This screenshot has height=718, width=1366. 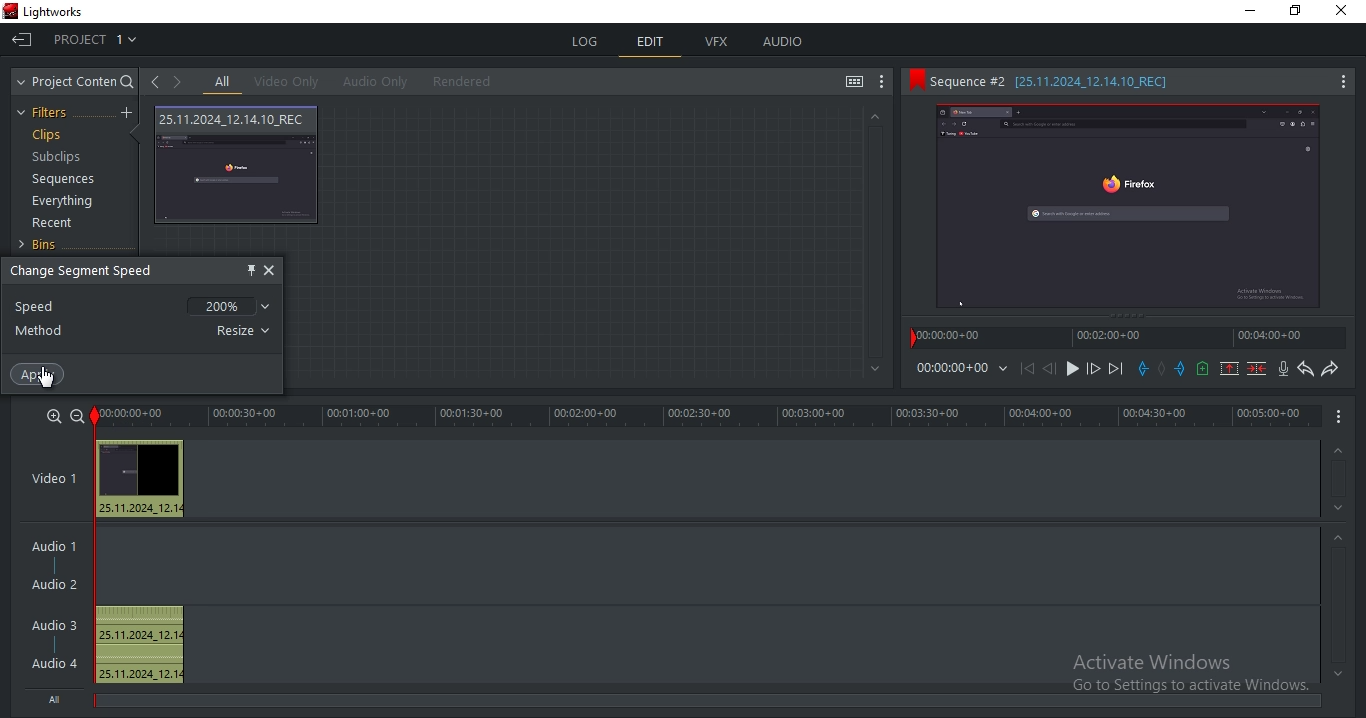 I want to click on record audio, so click(x=1282, y=370).